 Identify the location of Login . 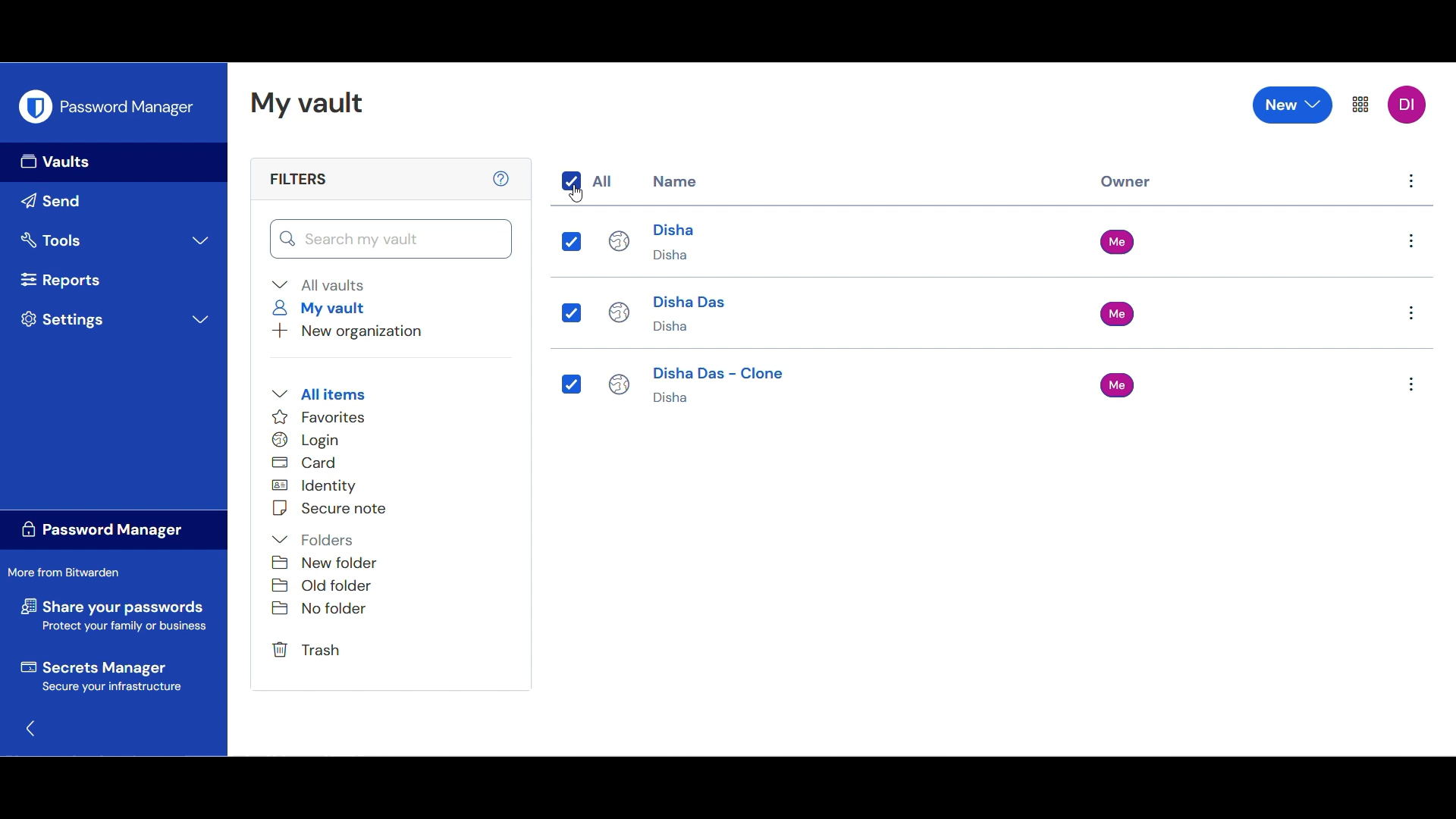
(317, 440).